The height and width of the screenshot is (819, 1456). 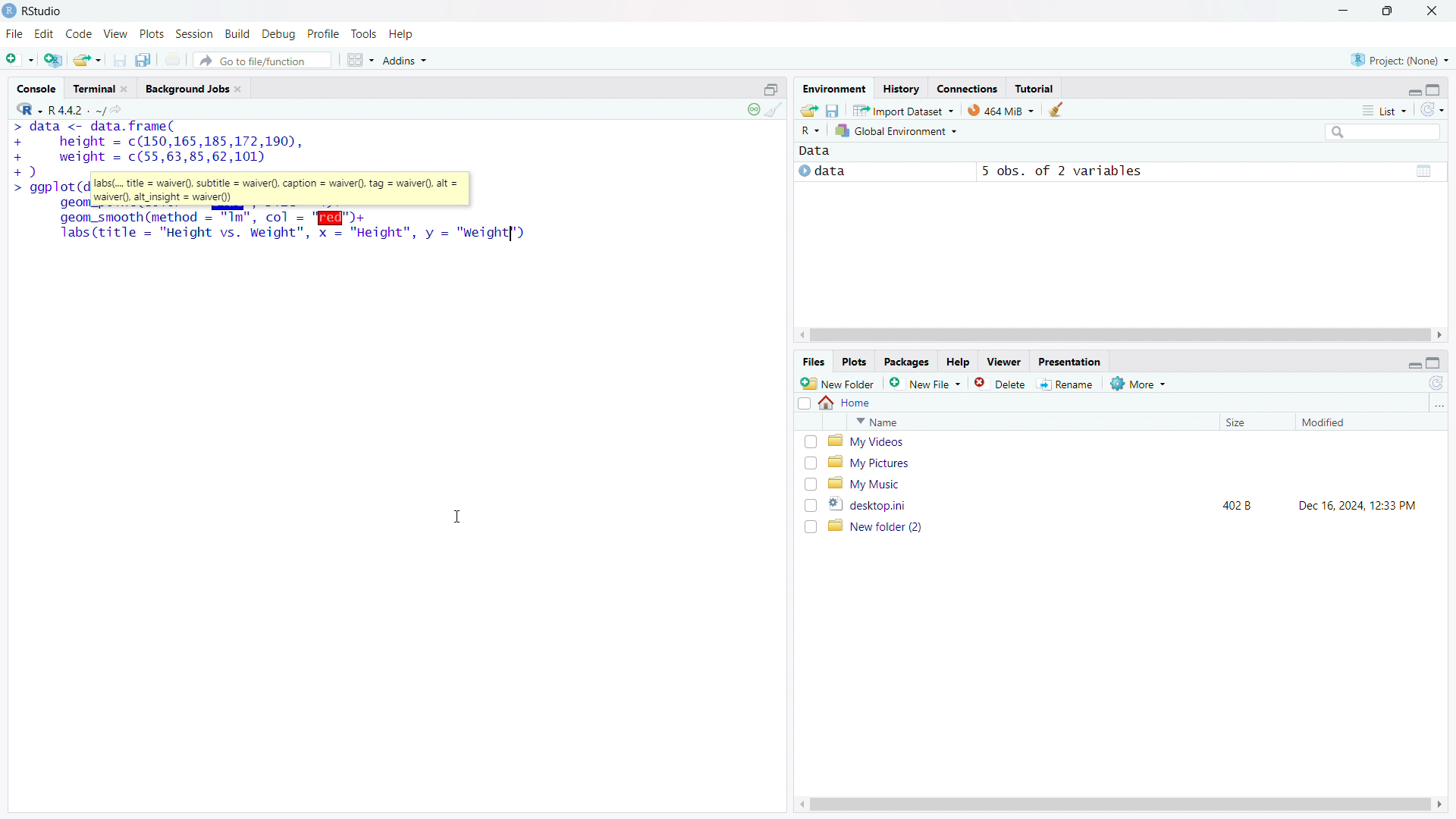 What do you see at coordinates (406, 60) in the screenshot?
I see `addins` at bounding box center [406, 60].